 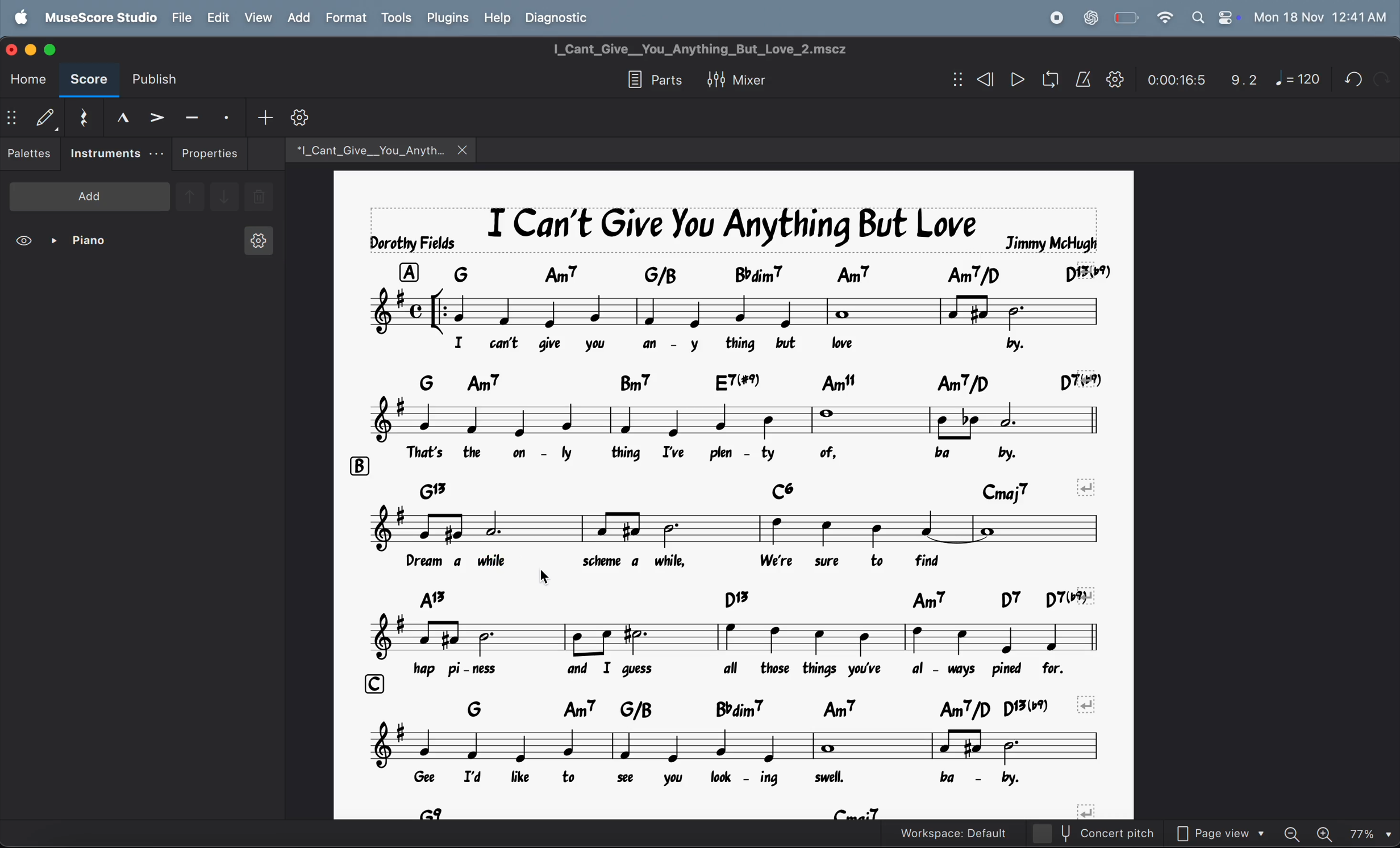 What do you see at coordinates (1228, 18) in the screenshot?
I see `control center` at bounding box center [1228, 18].